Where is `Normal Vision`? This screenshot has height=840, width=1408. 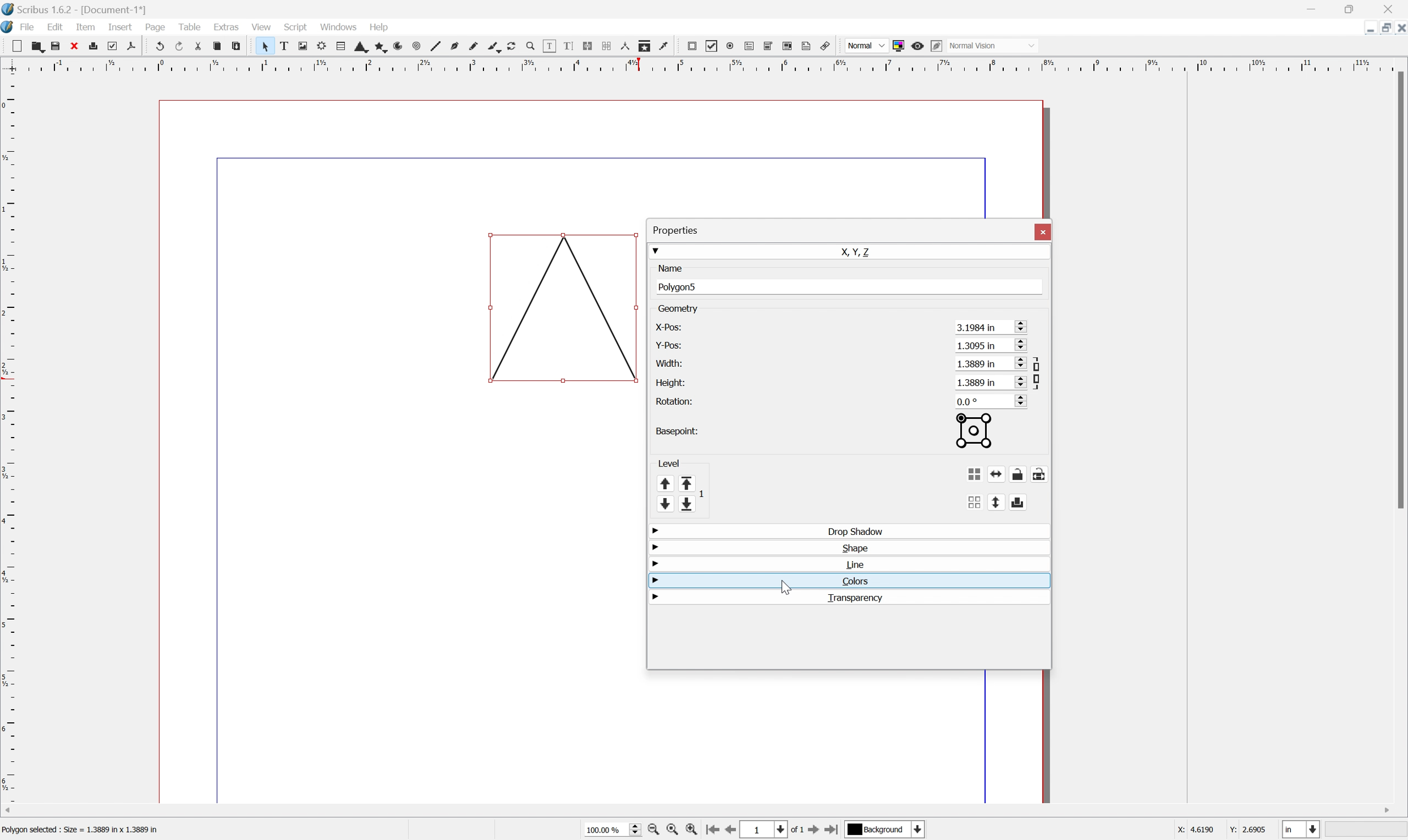 Normal Vision is located at coordinates (991, 45).